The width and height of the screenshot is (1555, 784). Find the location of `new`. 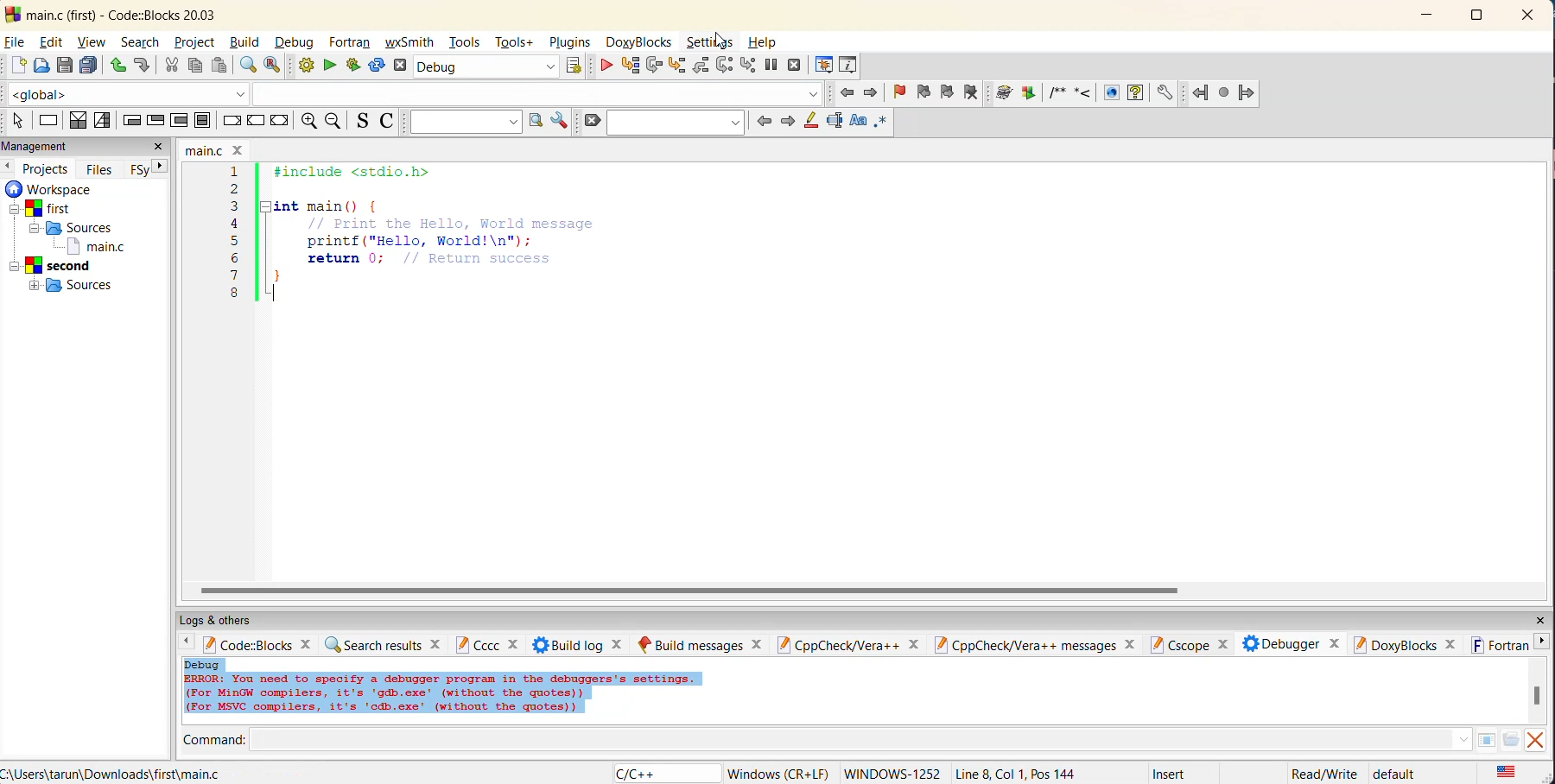

new is located at coordinates (15, 66).